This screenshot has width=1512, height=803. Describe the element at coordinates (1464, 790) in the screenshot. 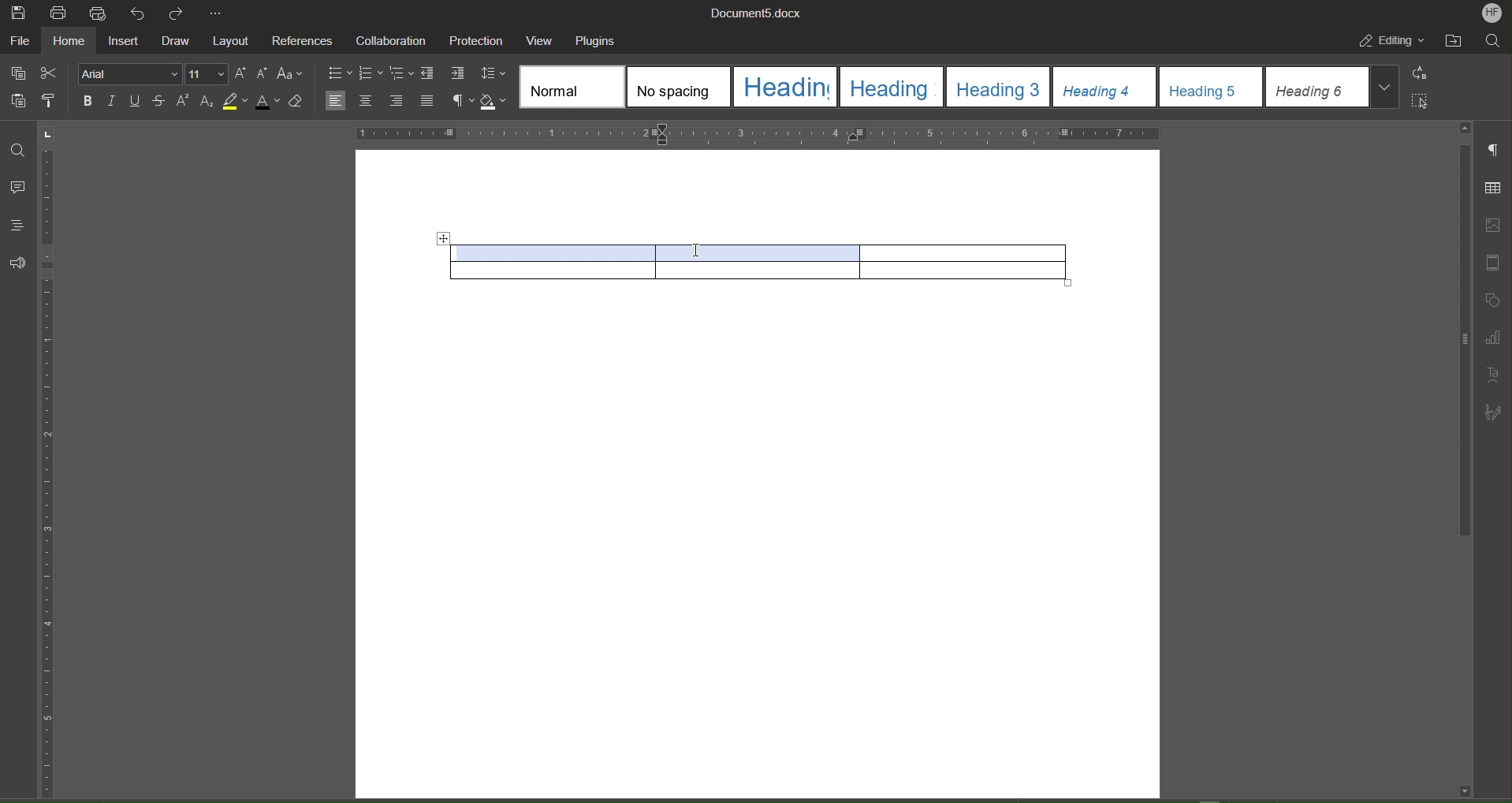

I see `scroll down` at that location.